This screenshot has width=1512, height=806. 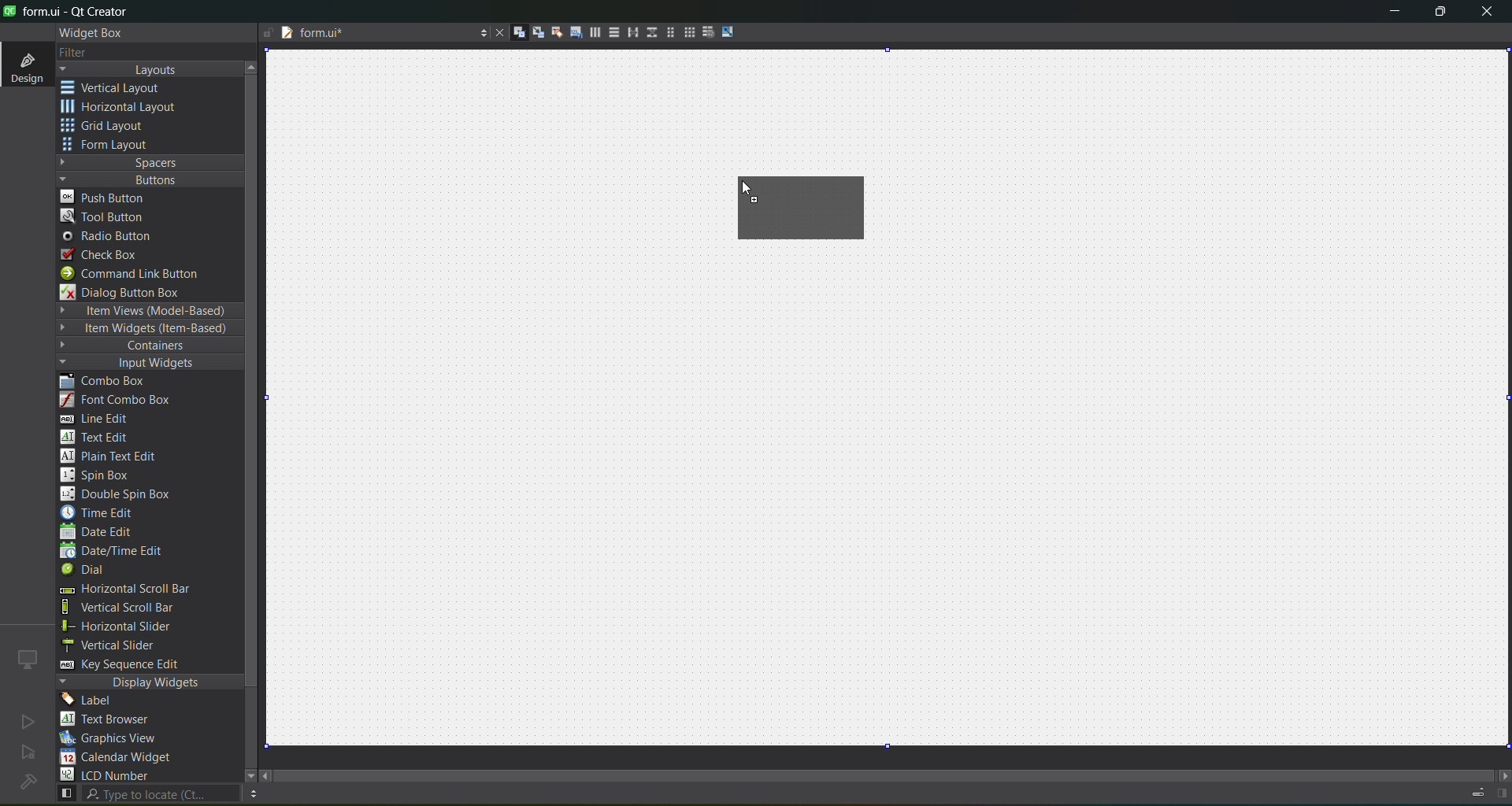 I want to click on horizontal scroll bar, so click(x=124, y=590).